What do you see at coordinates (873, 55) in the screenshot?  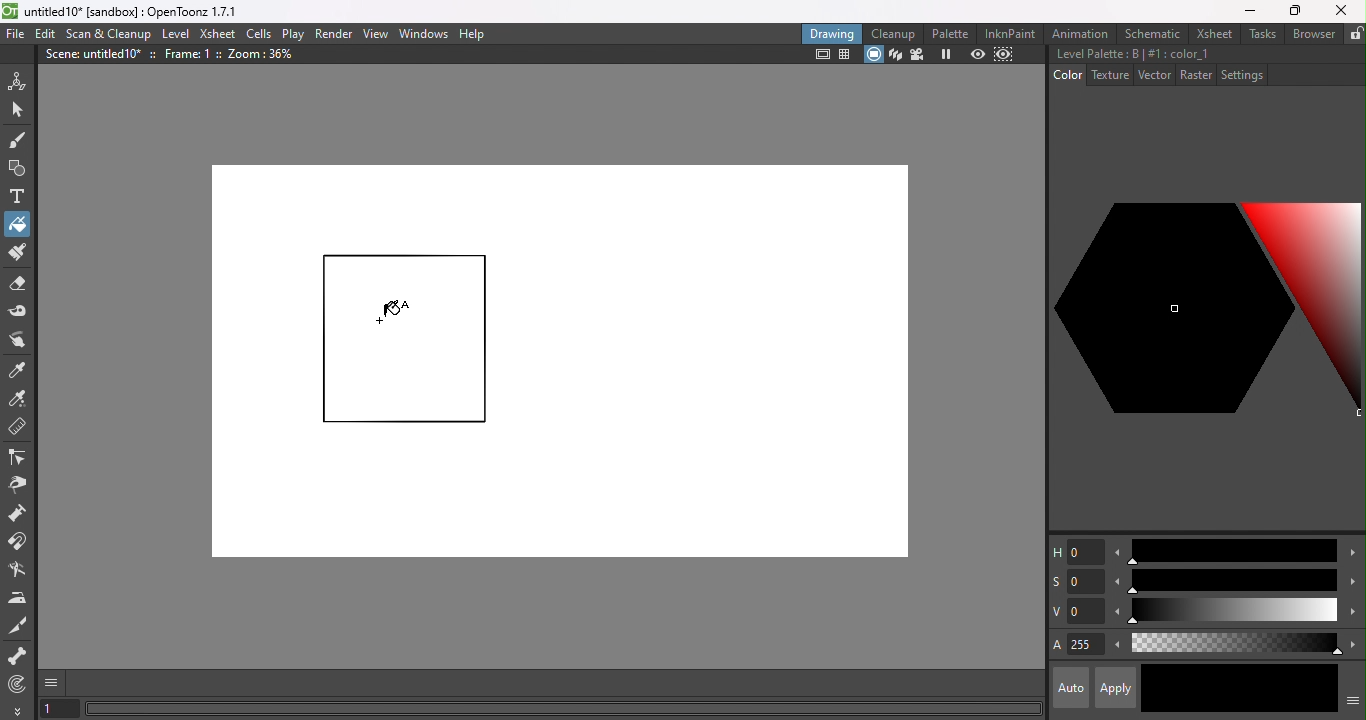 I see `Camera stand view` at bounding box center [873, 55].